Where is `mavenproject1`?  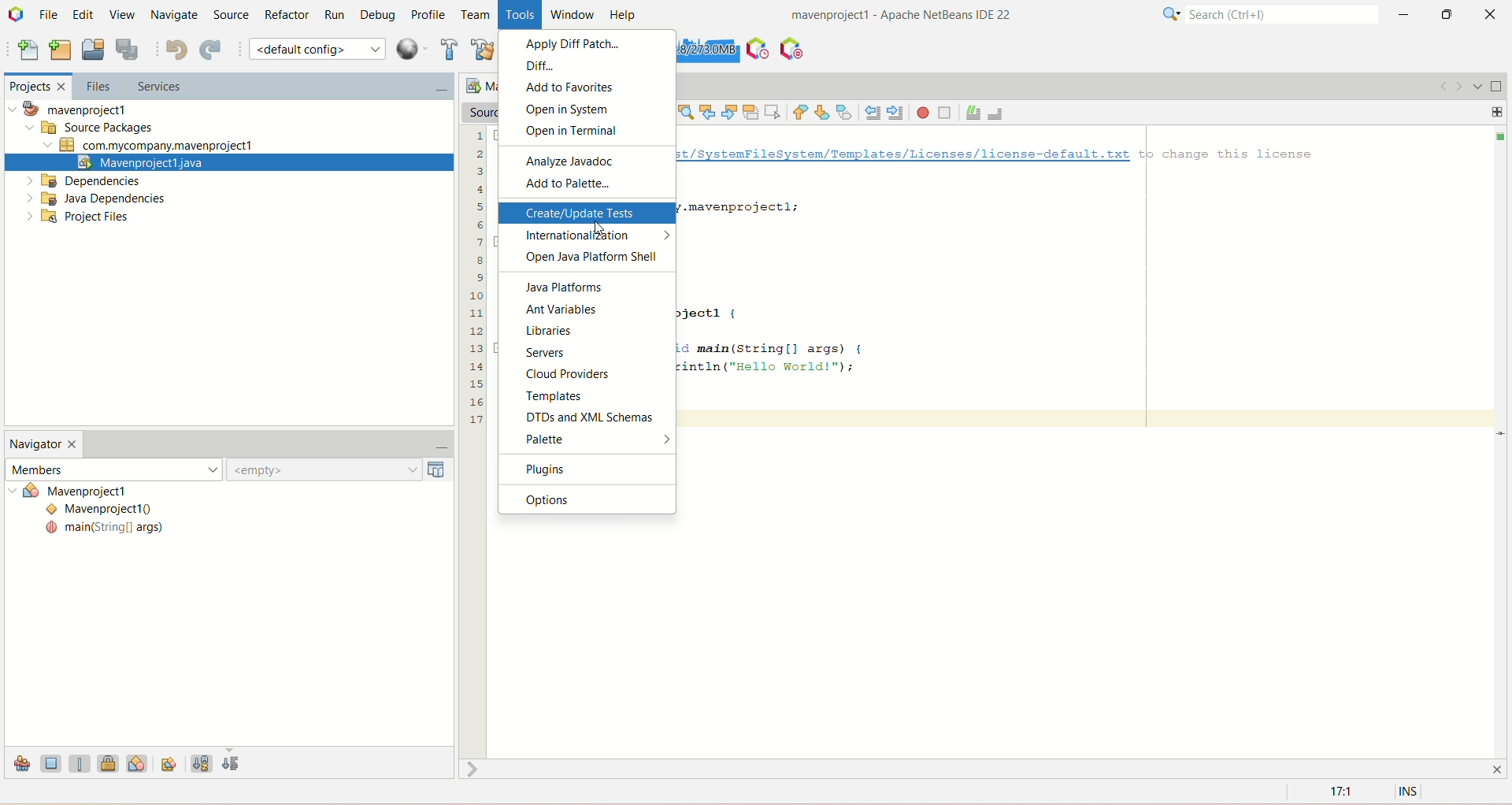
mavenproject1 is located at coordinates (74, 109).